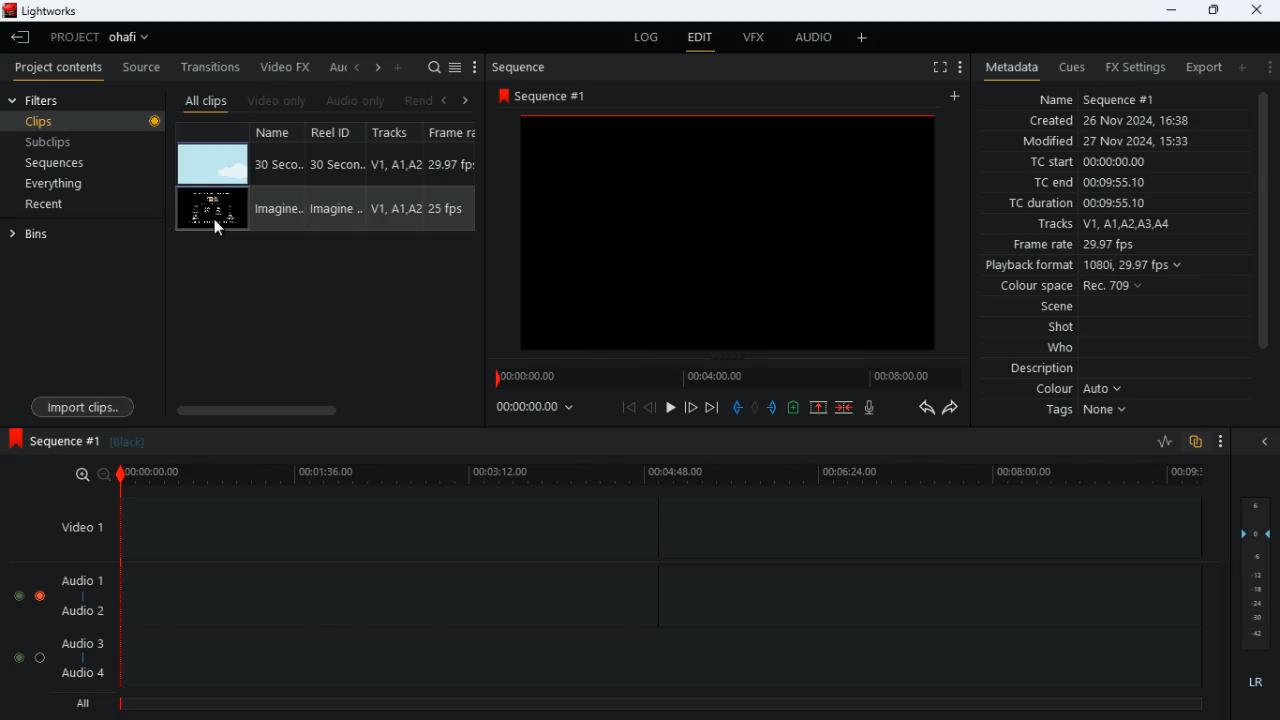 The image size is (1280, 720). I want to click on add, so click(957, 97).